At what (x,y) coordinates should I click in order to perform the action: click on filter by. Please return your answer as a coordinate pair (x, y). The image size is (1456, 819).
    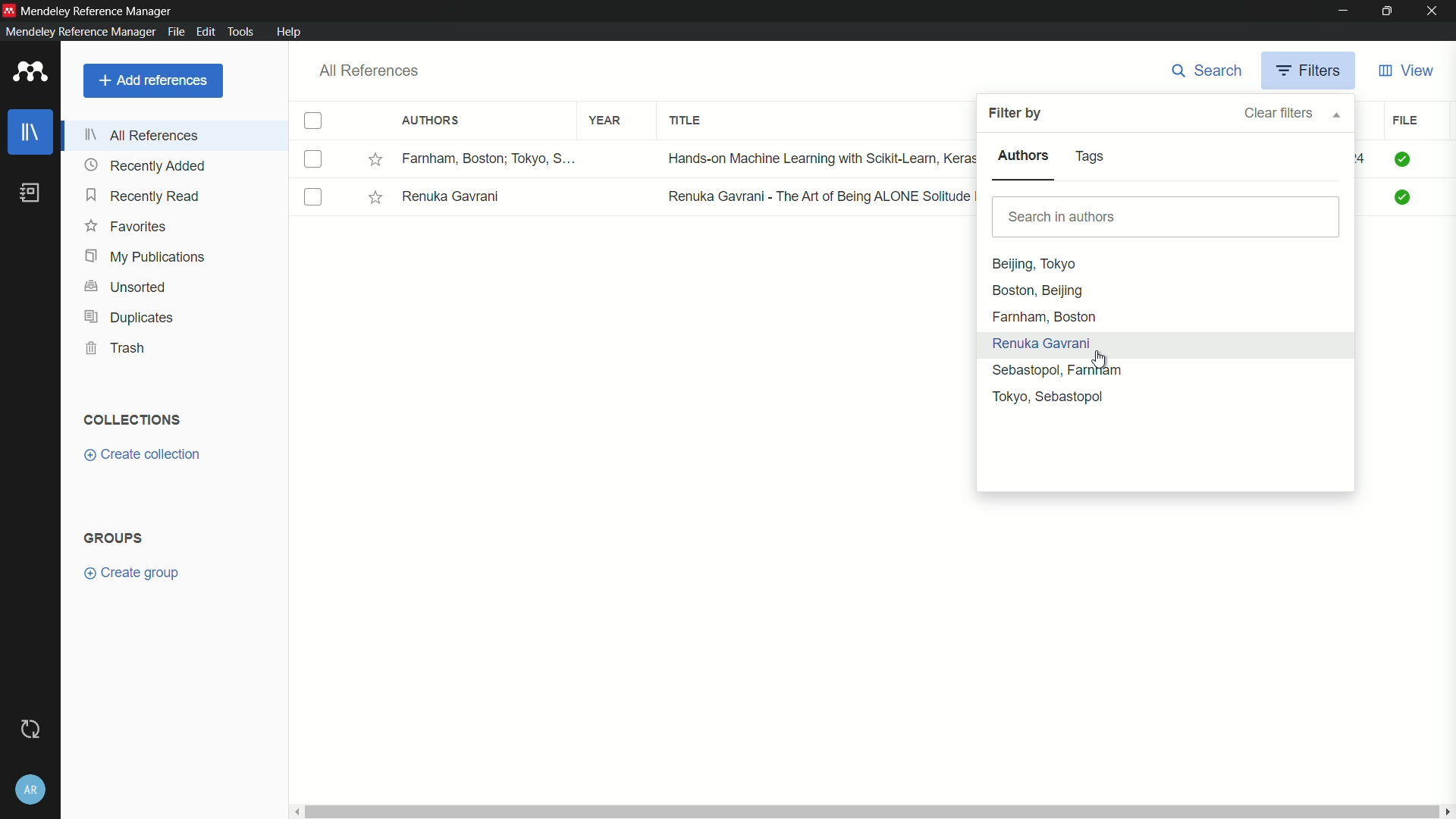
    Looking at the image, I should click on (1014, 114).